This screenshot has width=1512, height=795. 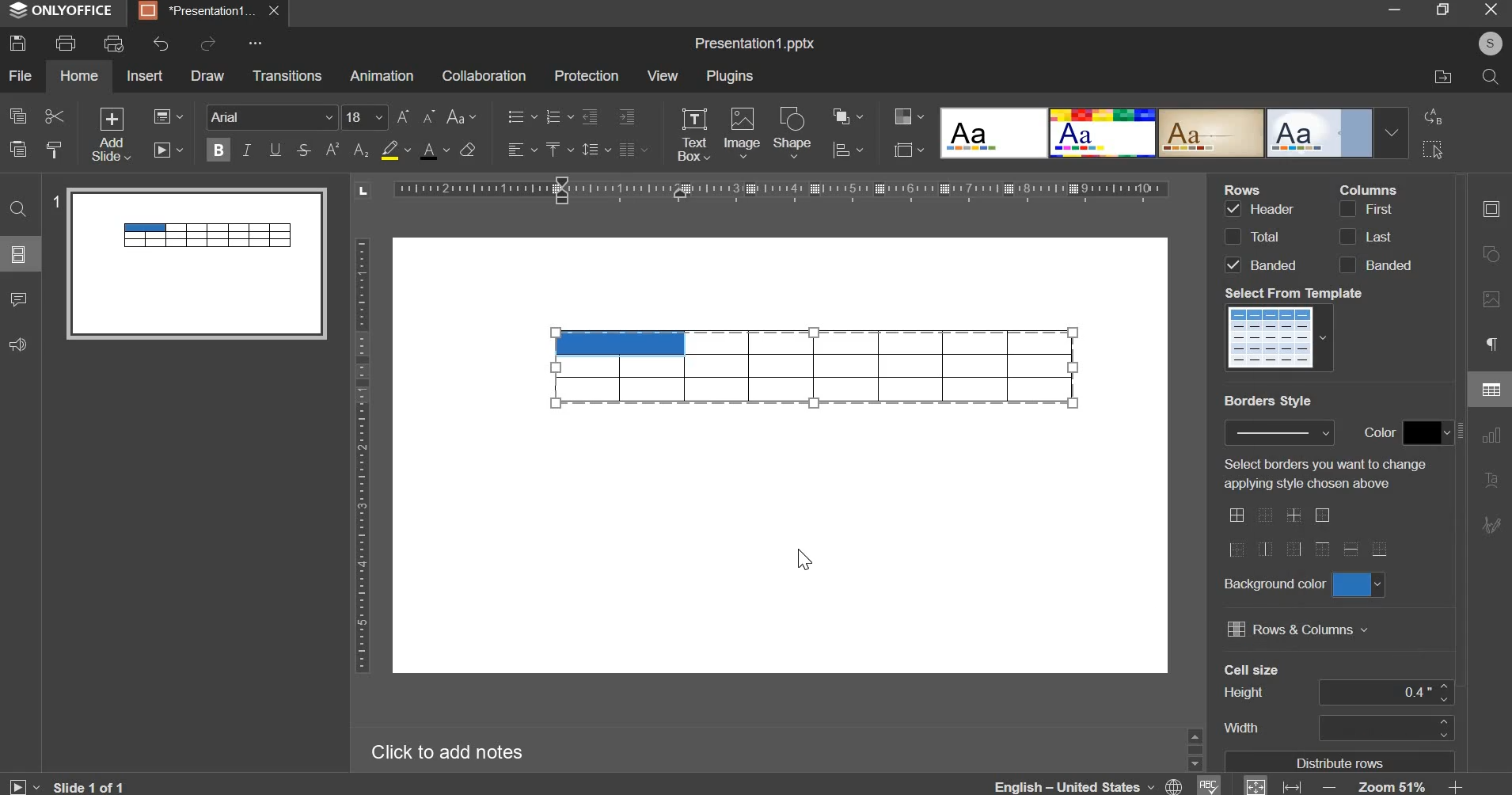 What do you see at coordinates (434, 150) in the screenshot?
I see `text color` at bounding box center [434, 150].